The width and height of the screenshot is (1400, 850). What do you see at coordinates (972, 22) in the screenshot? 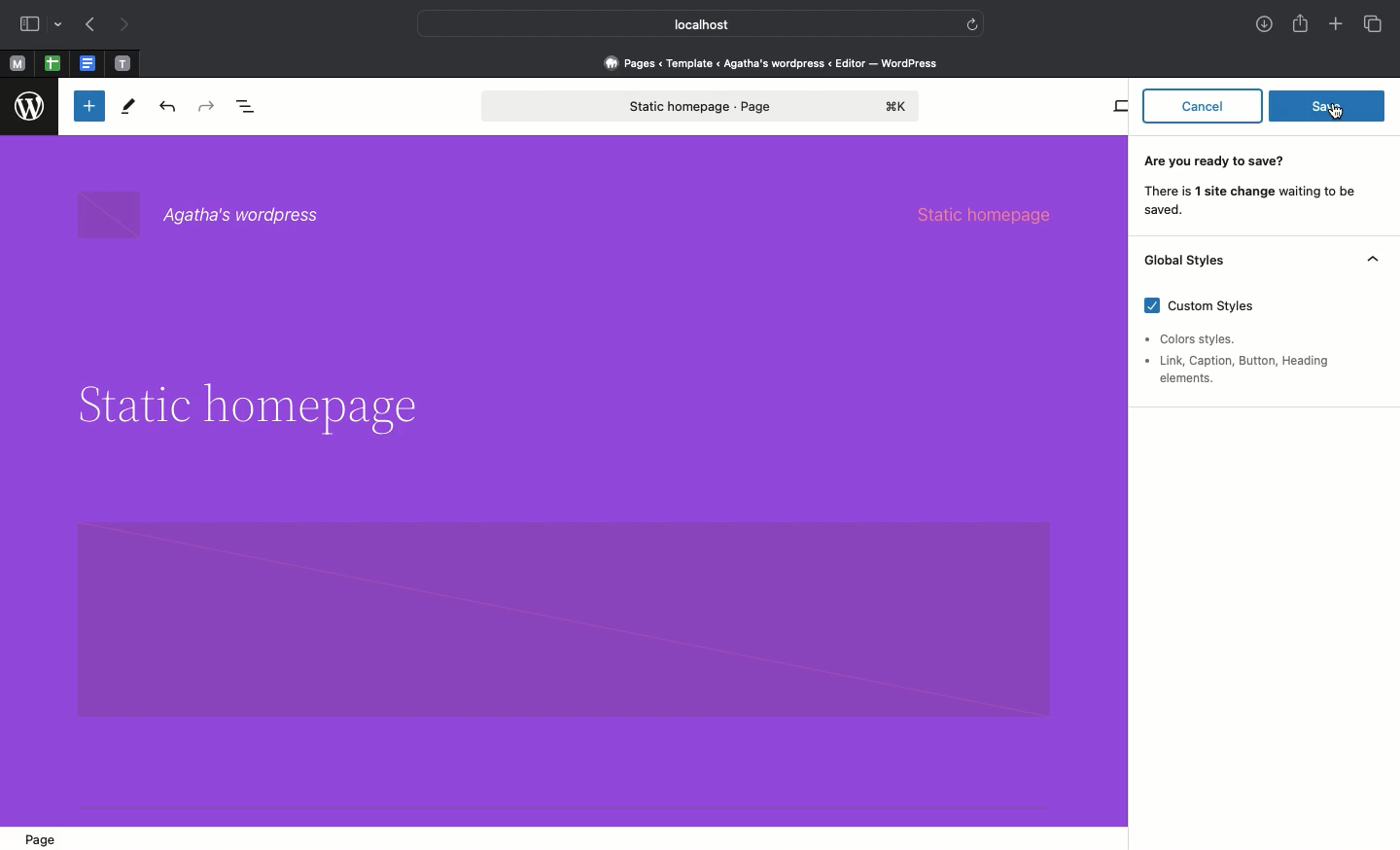
I see `refresh` at bounding box center [972, 22].